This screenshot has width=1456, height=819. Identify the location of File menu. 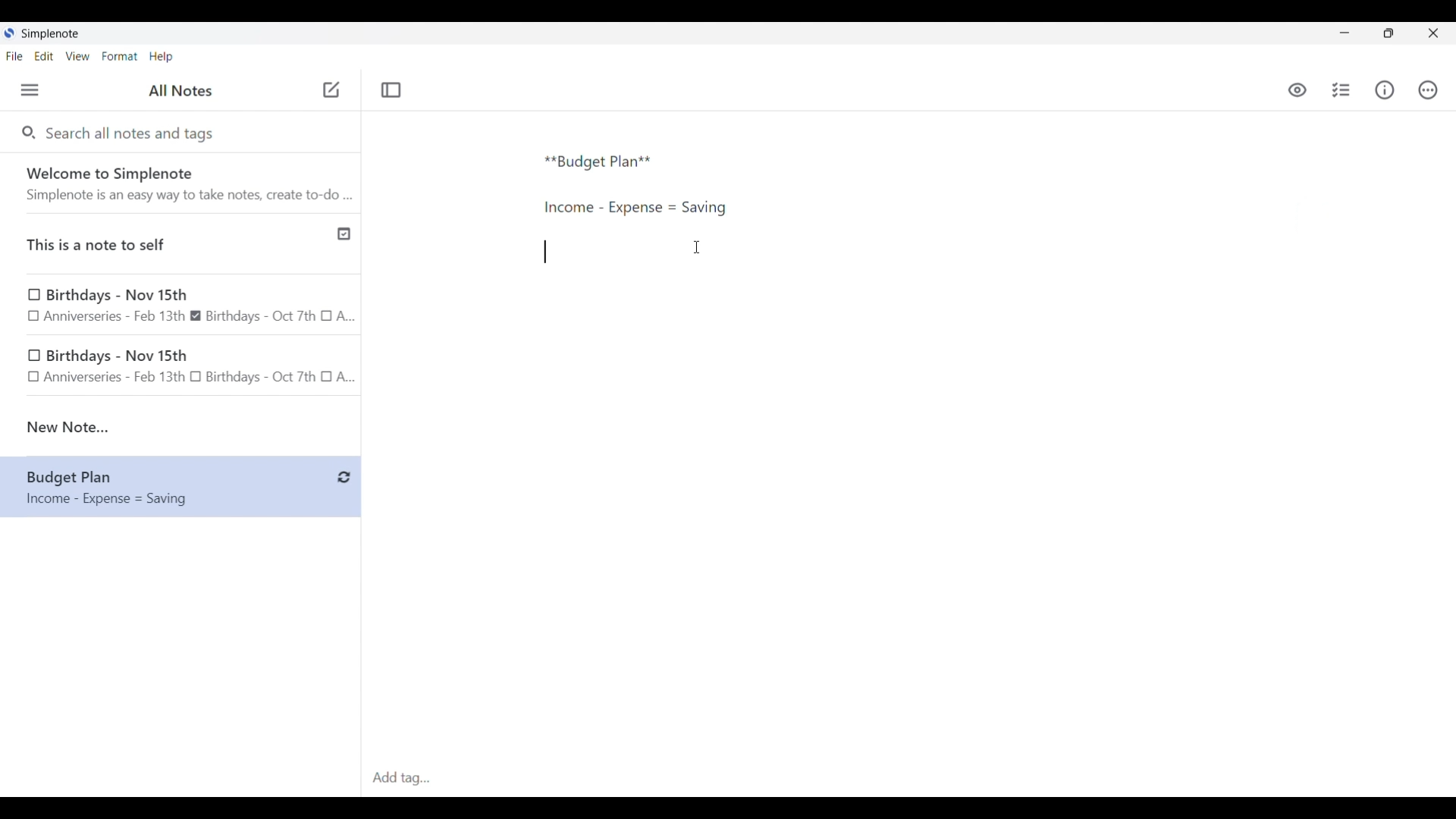
(14, 55).